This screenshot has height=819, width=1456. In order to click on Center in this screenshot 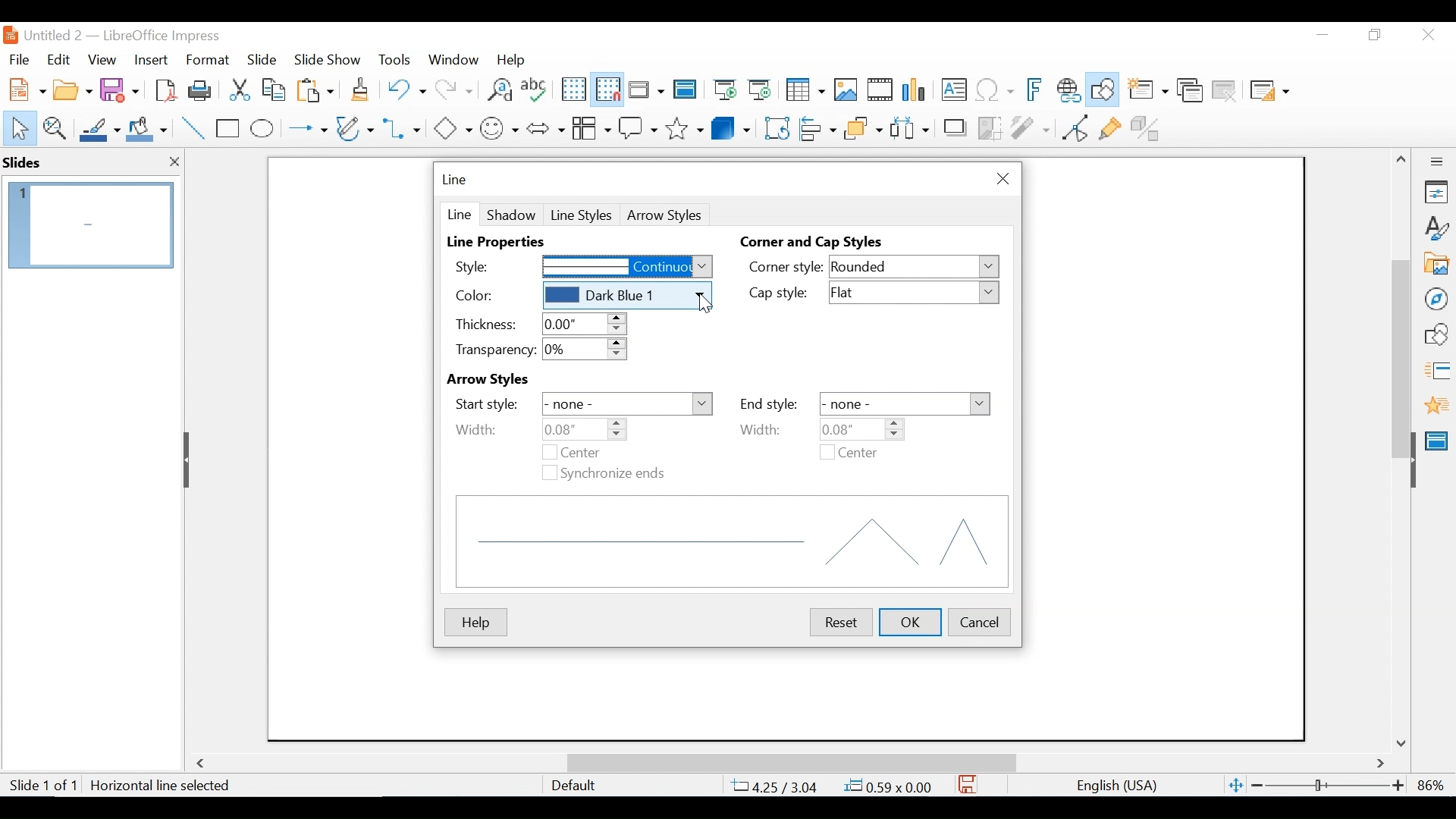, I will do `click(595, 452)`.